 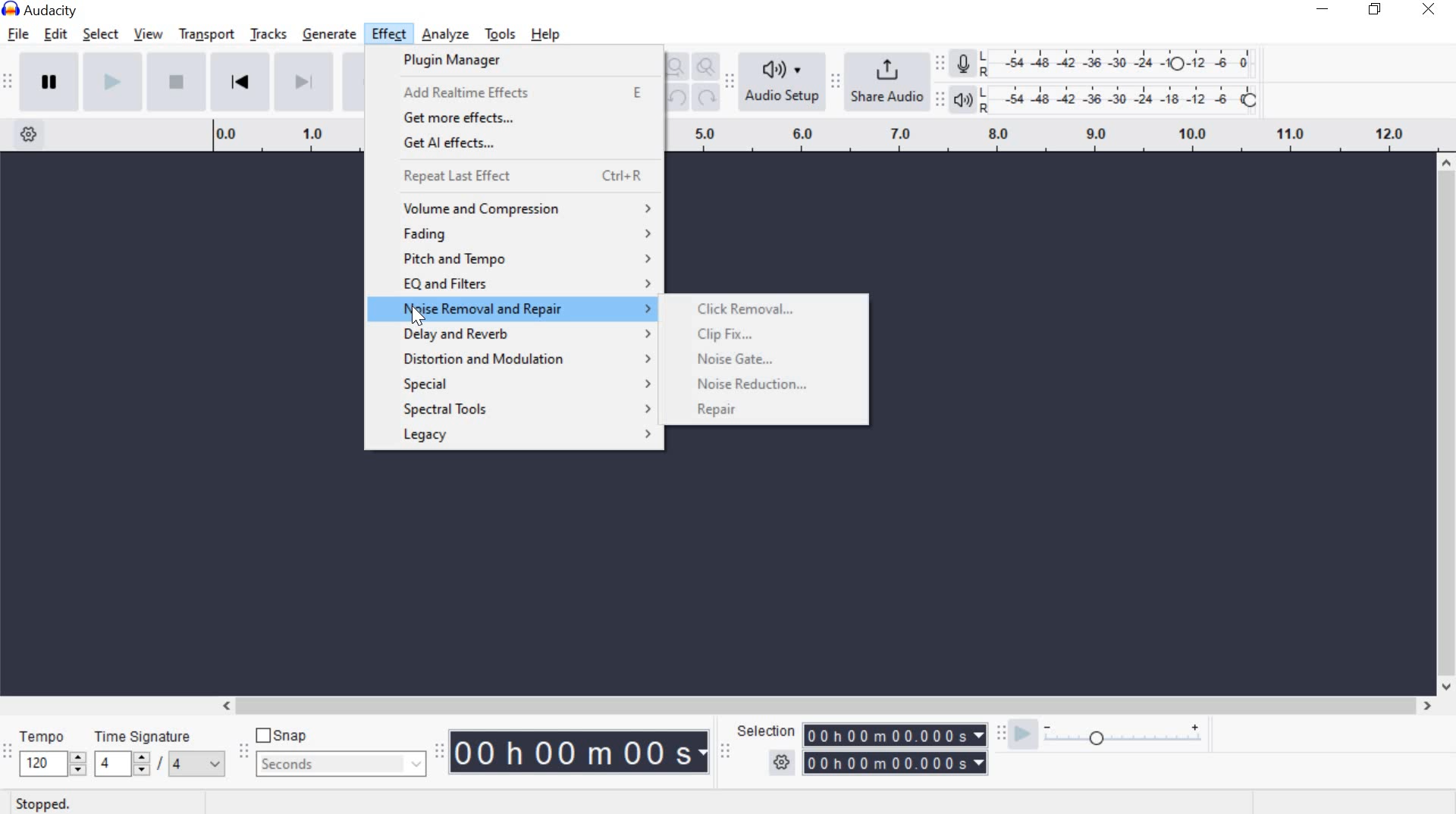 I want to click on delay and reverb, so click(x=522, y=335).